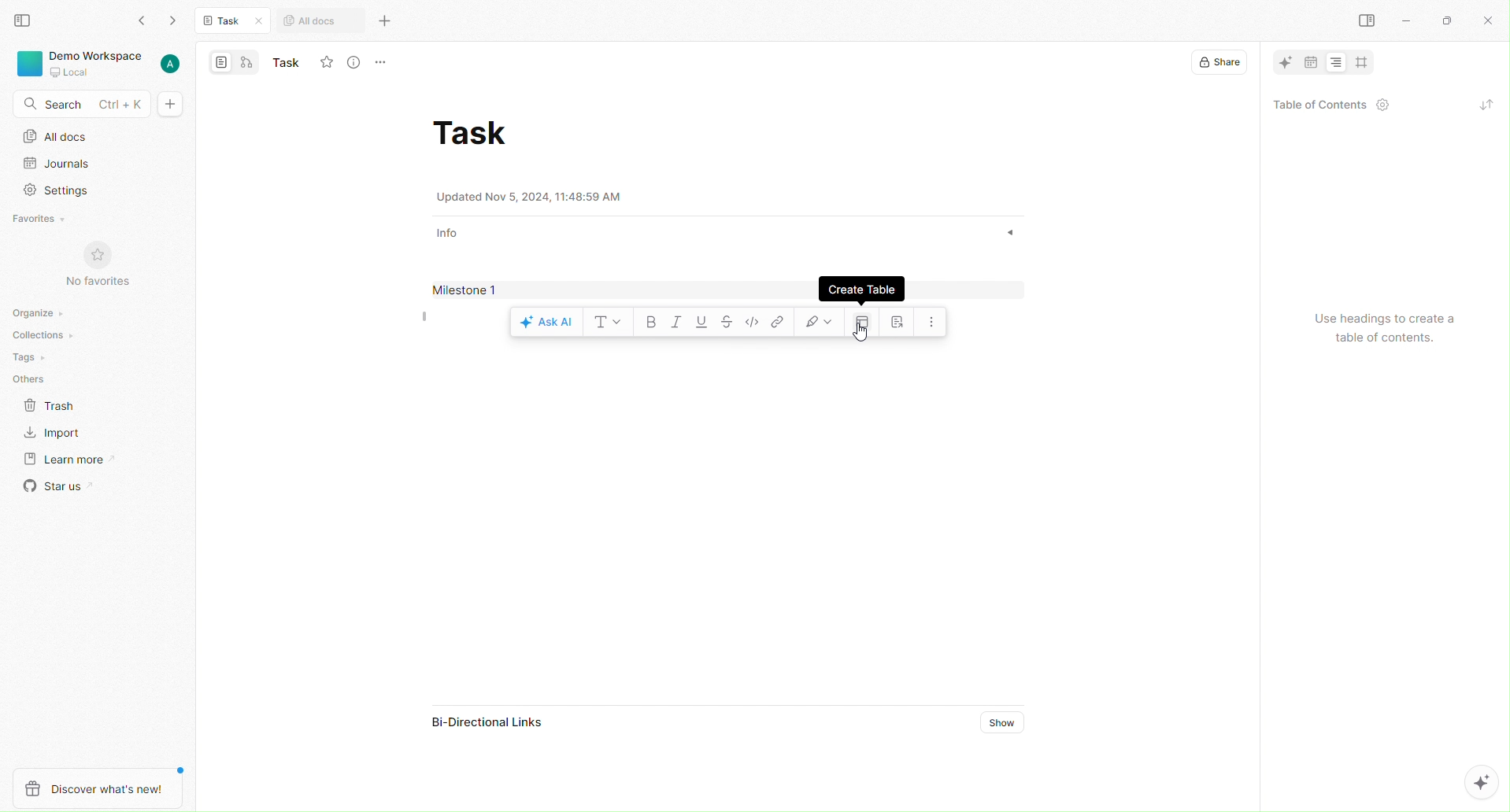 Image resolution: width=1510 pixels, height=812 pixels. What do you see at coordinates (25, 356) in the screenshot?
I see `Tags` at bounding box center [25, 356].